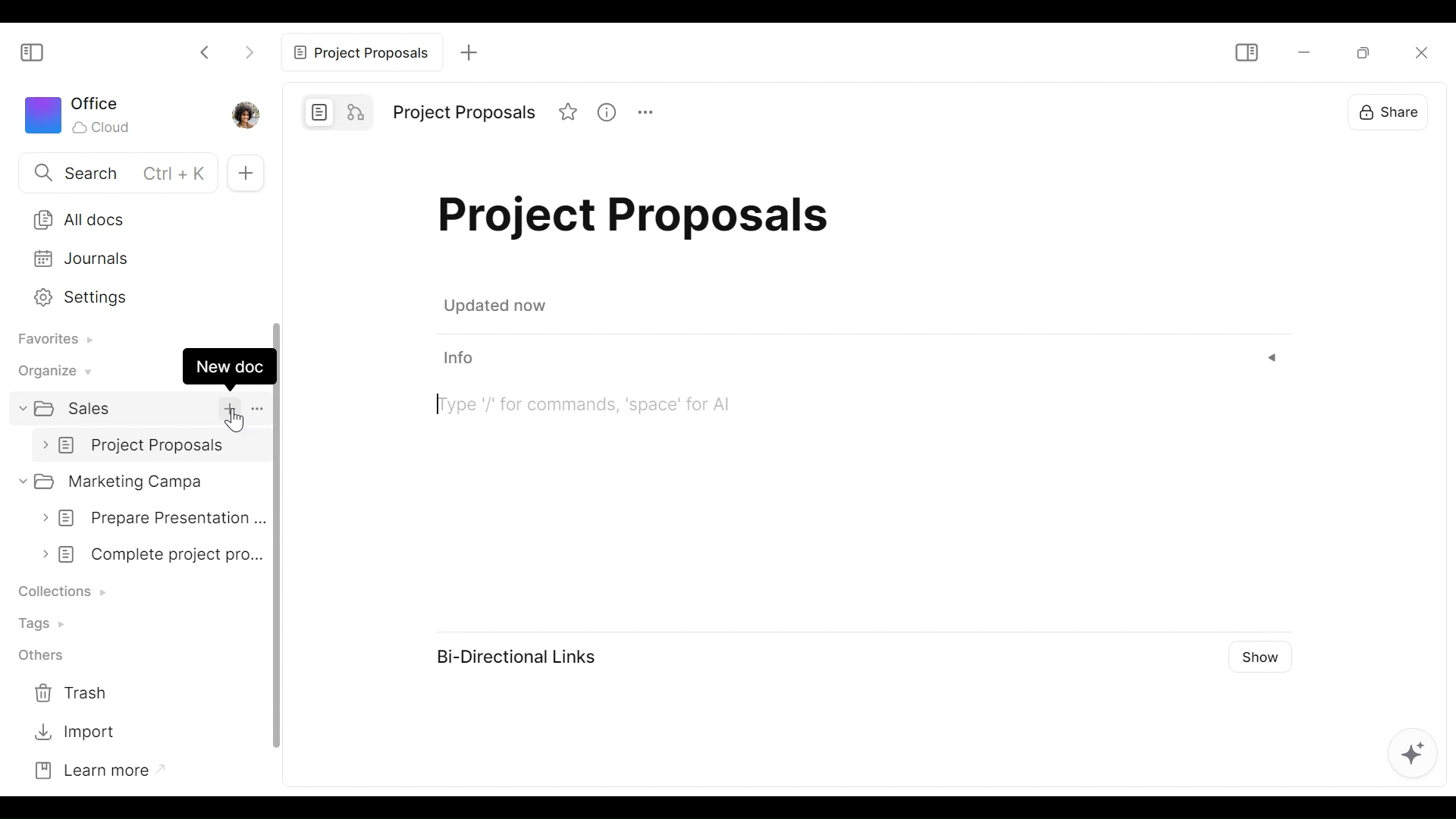 This screenshot has width=1456, height=819. I want to click on minimize, so click(1302, 52).